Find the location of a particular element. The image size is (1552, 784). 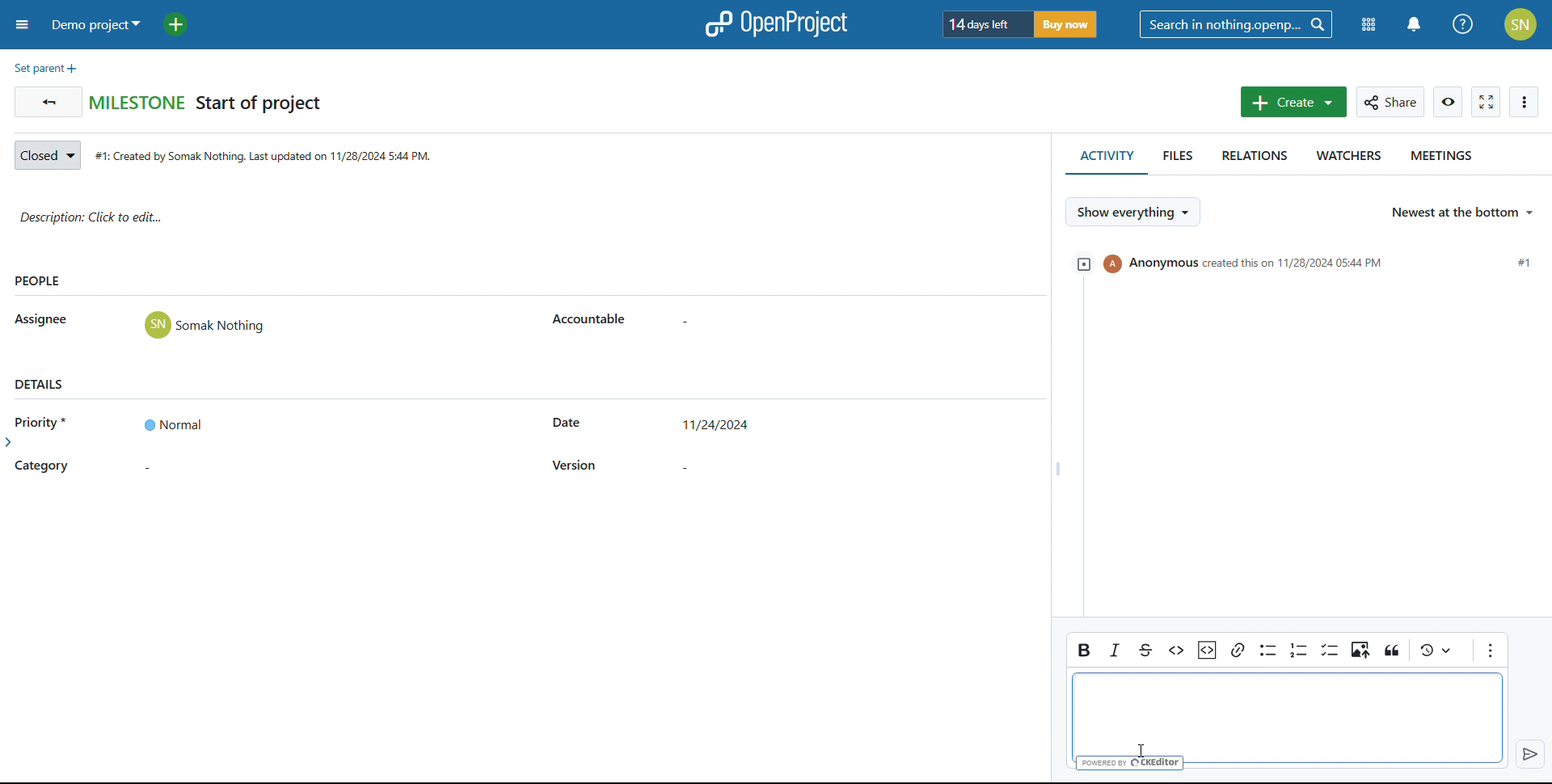

meetings is located at coordinates (1444, 159).